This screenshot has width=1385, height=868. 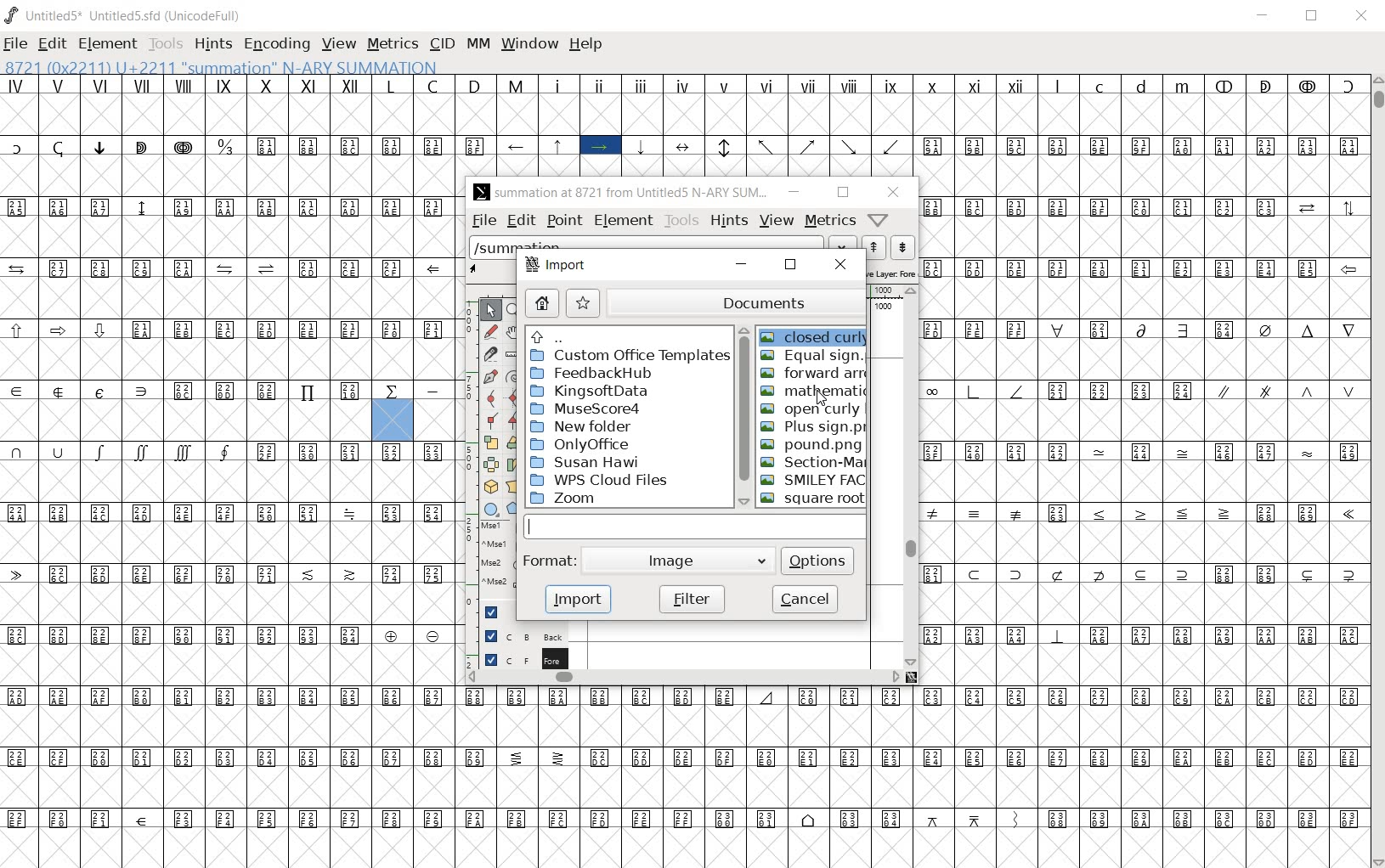 What do you see at coordinates (513, 398) in the screenshot?
I see `add a curve point always either horizontal or vertical` at bounding box center [513, 398].